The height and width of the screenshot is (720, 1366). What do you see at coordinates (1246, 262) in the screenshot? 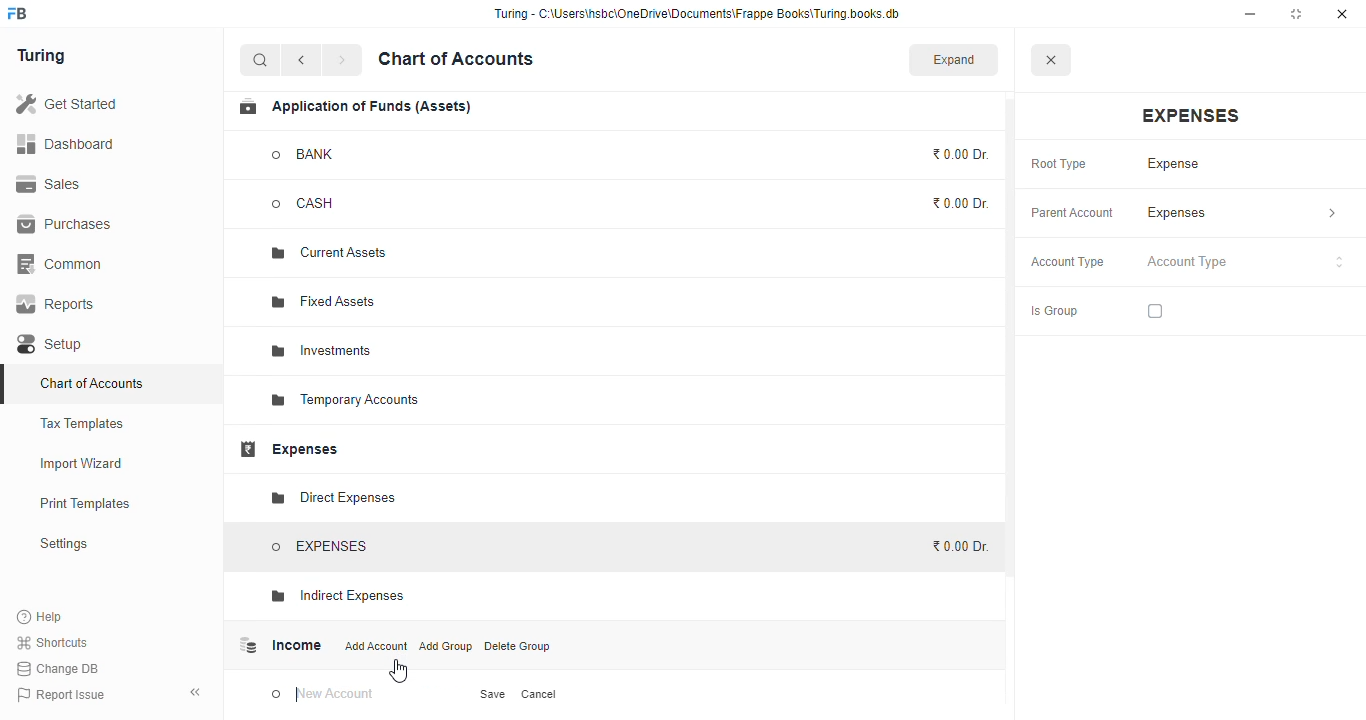
I see `account type` at bounding box center [1246, 262].